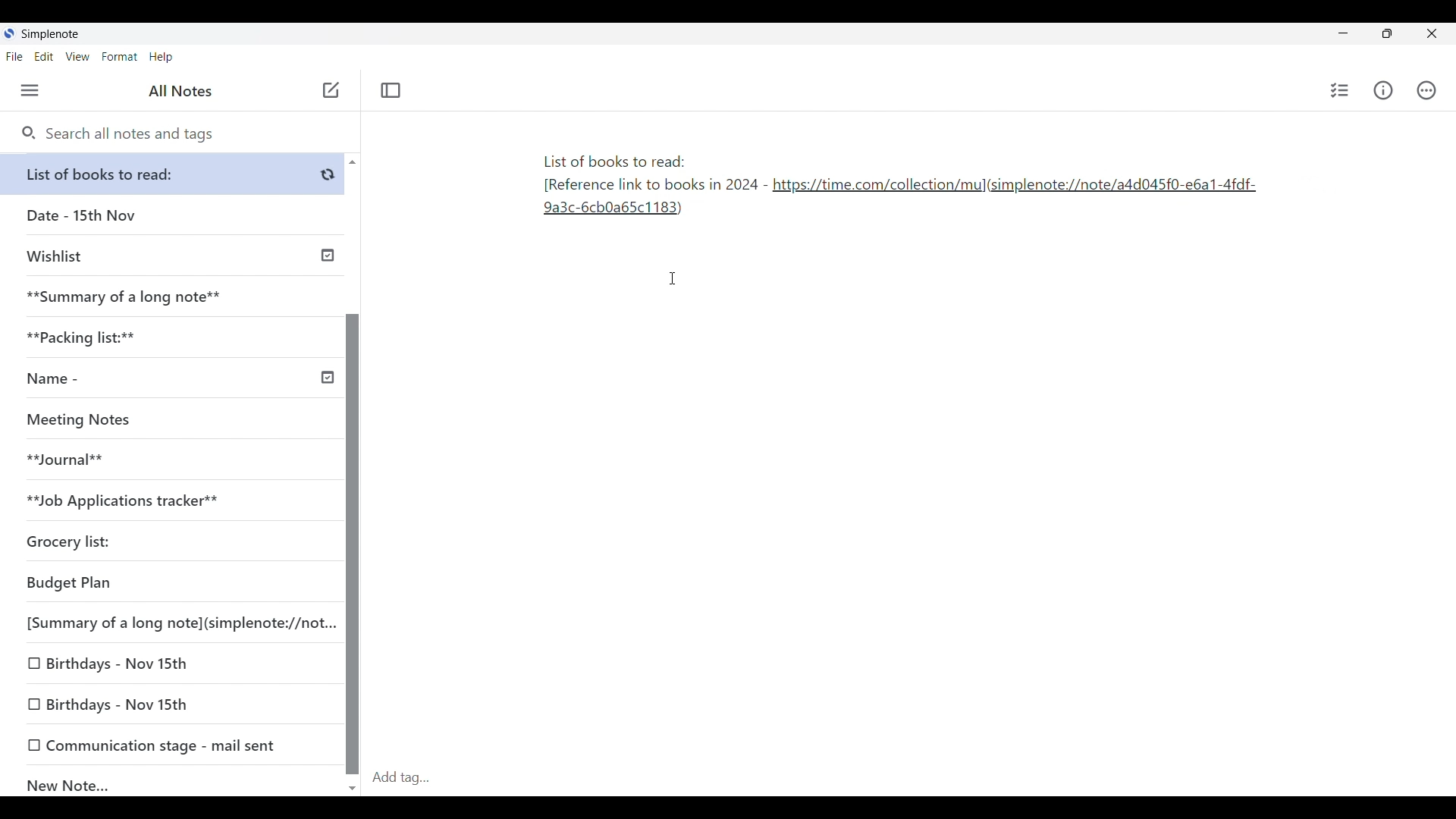 The width and height of the screenshot is (1456, 819). What do you see at coordinates (78, 57) in the screenshot?
I see `View` at bounding box center [78, 57].